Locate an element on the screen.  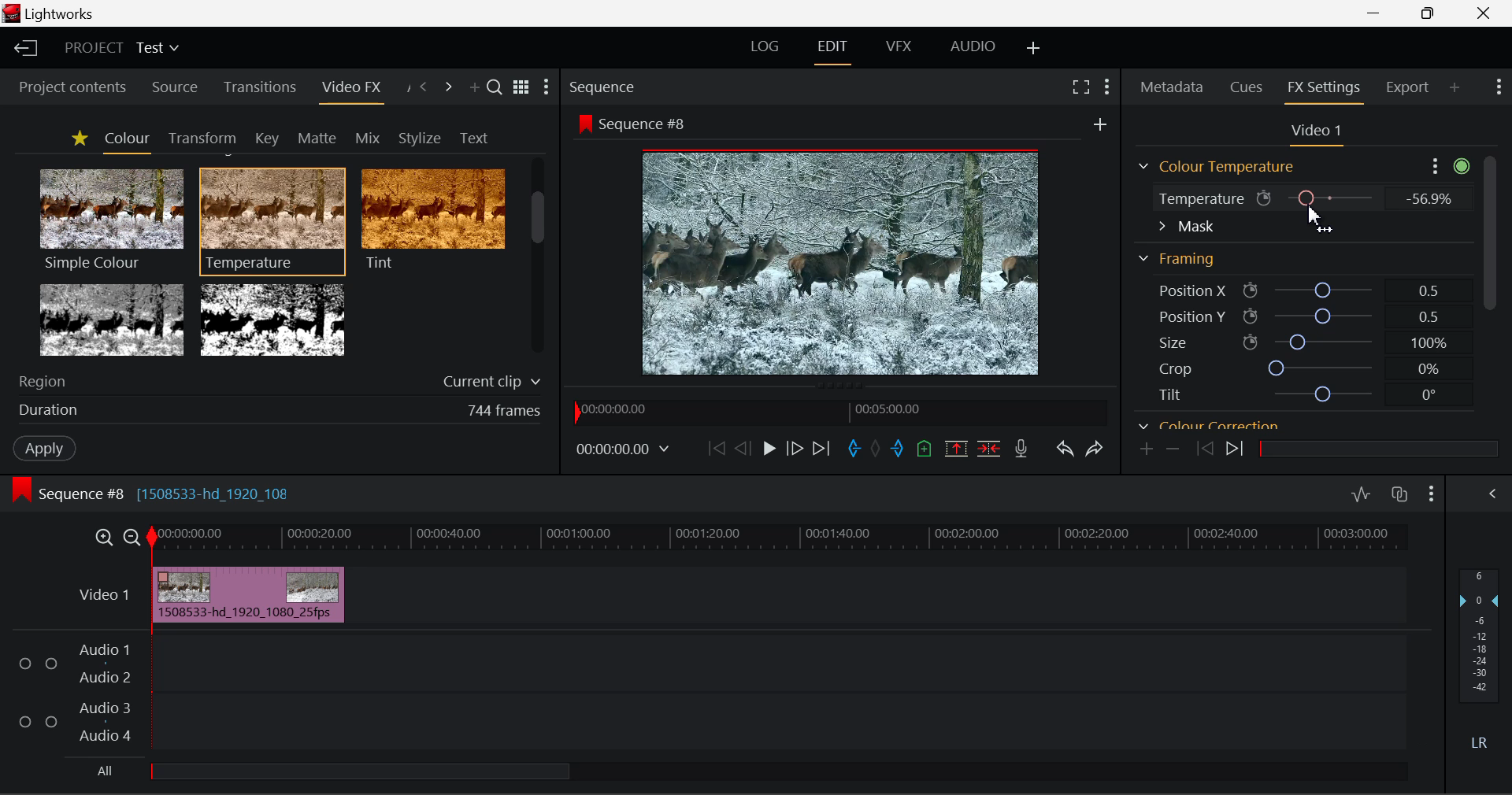
Temperature is located at coordinates (273, 219).